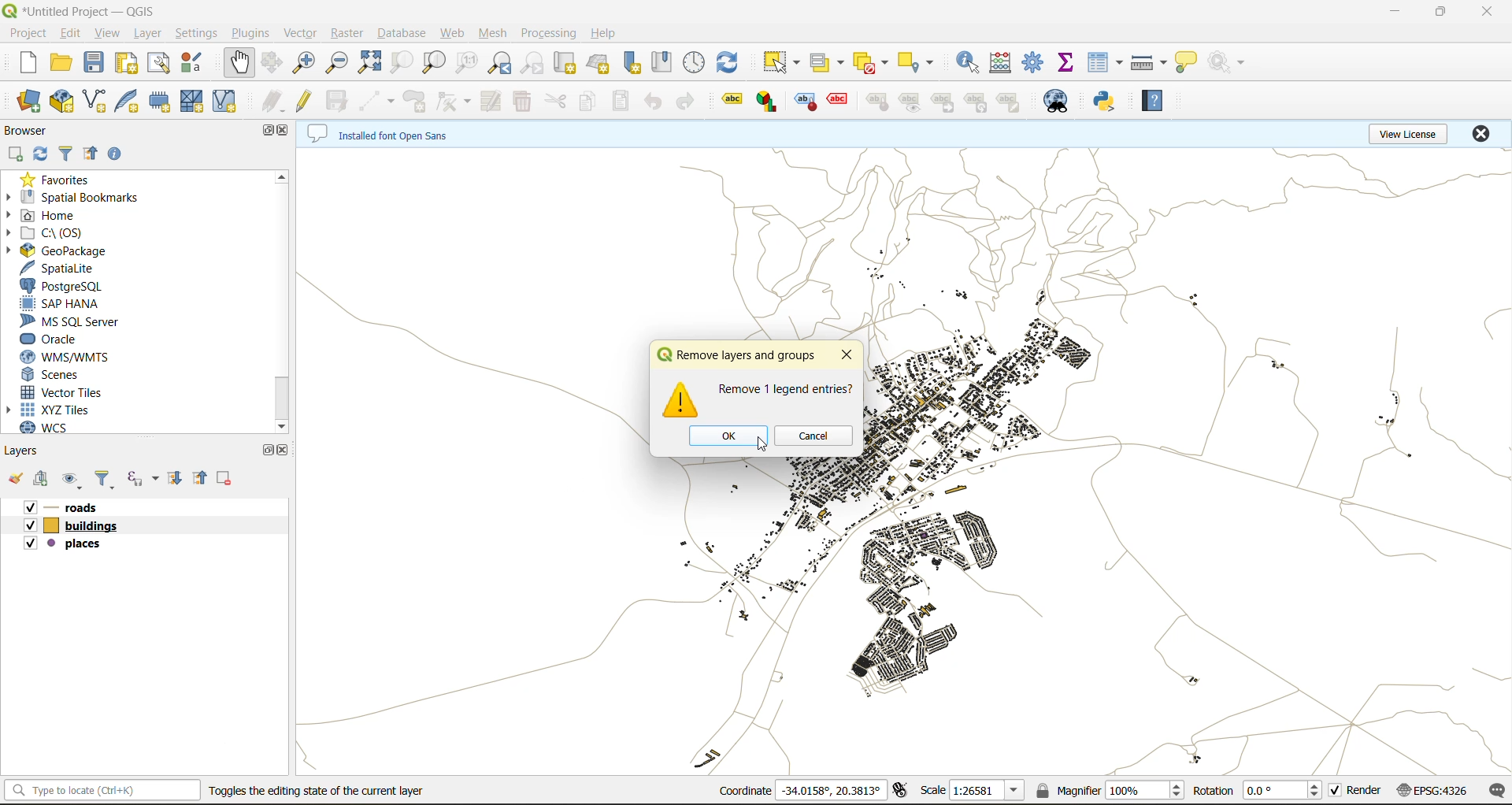 This screenshot has height=805, width=1512. I want to click on raster, so click(345, 34).